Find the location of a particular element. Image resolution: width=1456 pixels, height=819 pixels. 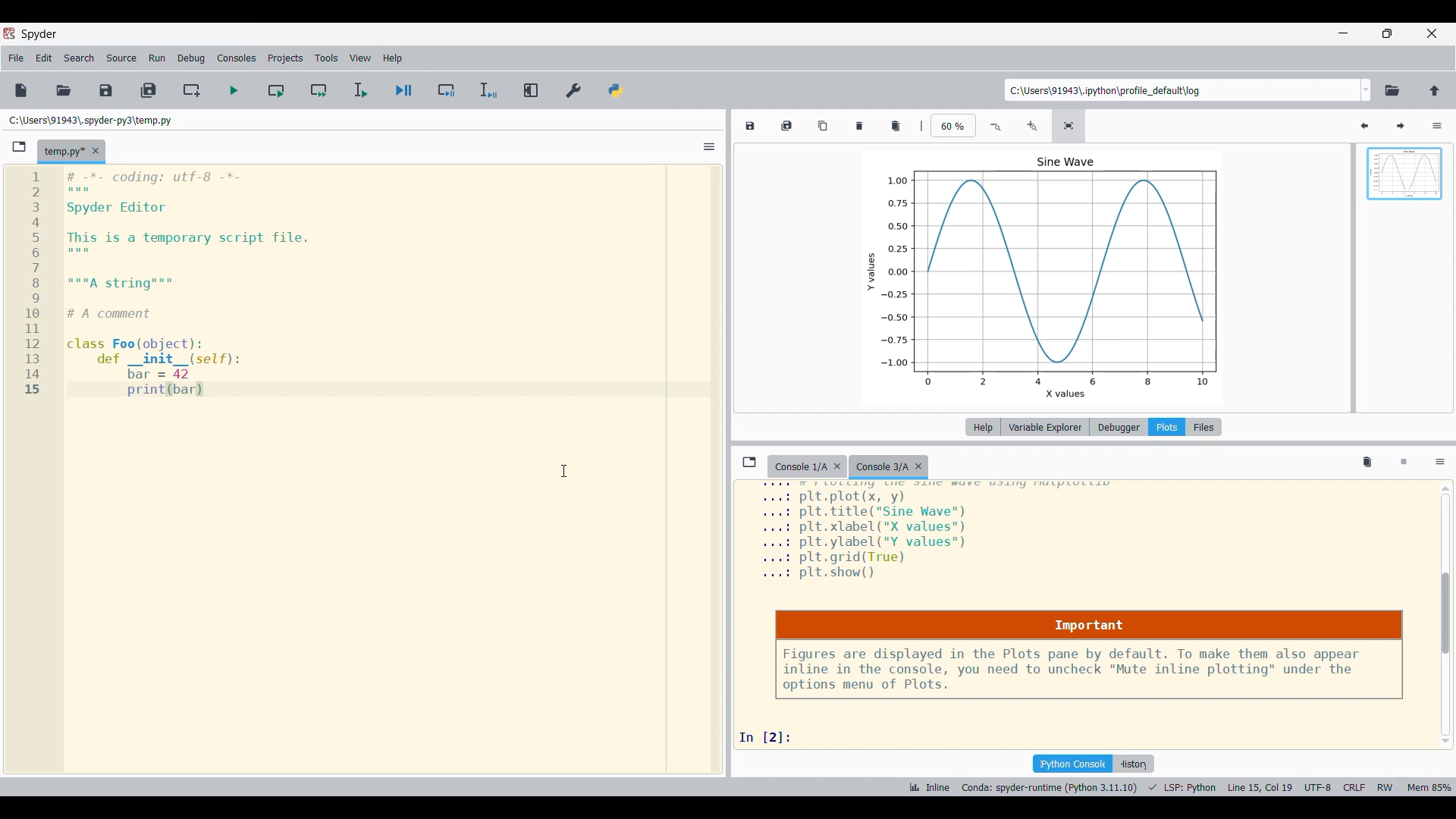

New file is located at coordinates (21, 90).